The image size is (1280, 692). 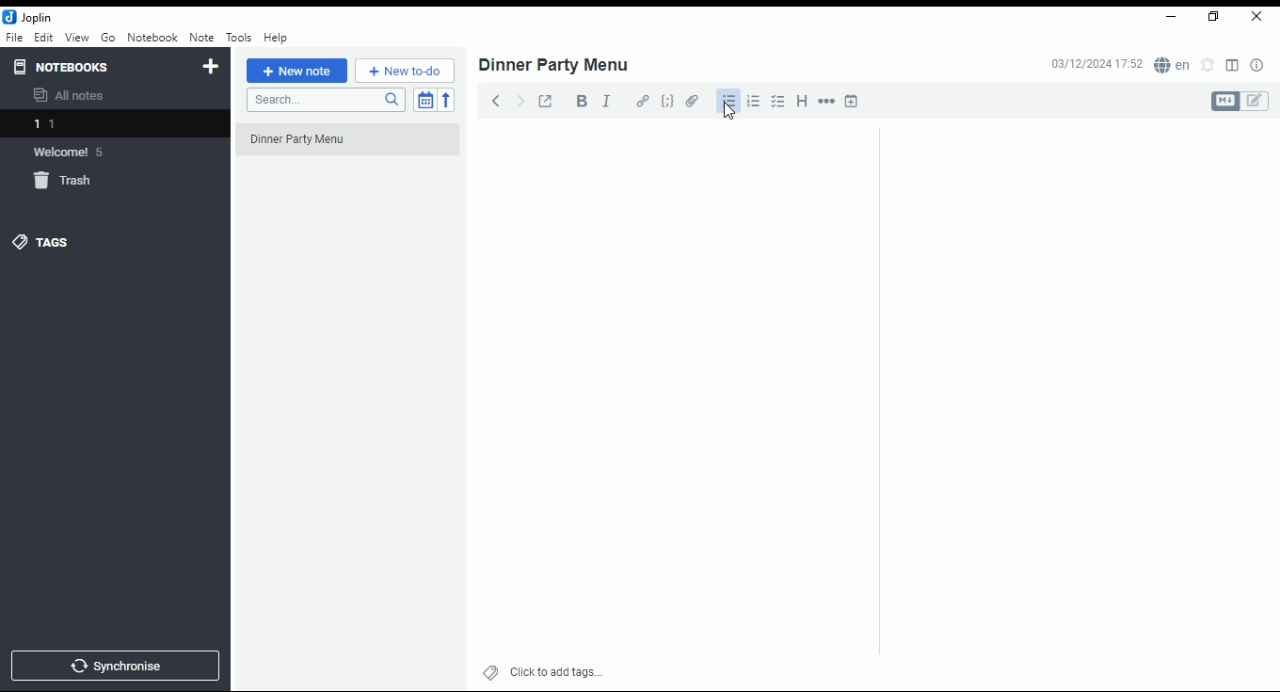 I want to click on trash, so click(x=66, y=181).